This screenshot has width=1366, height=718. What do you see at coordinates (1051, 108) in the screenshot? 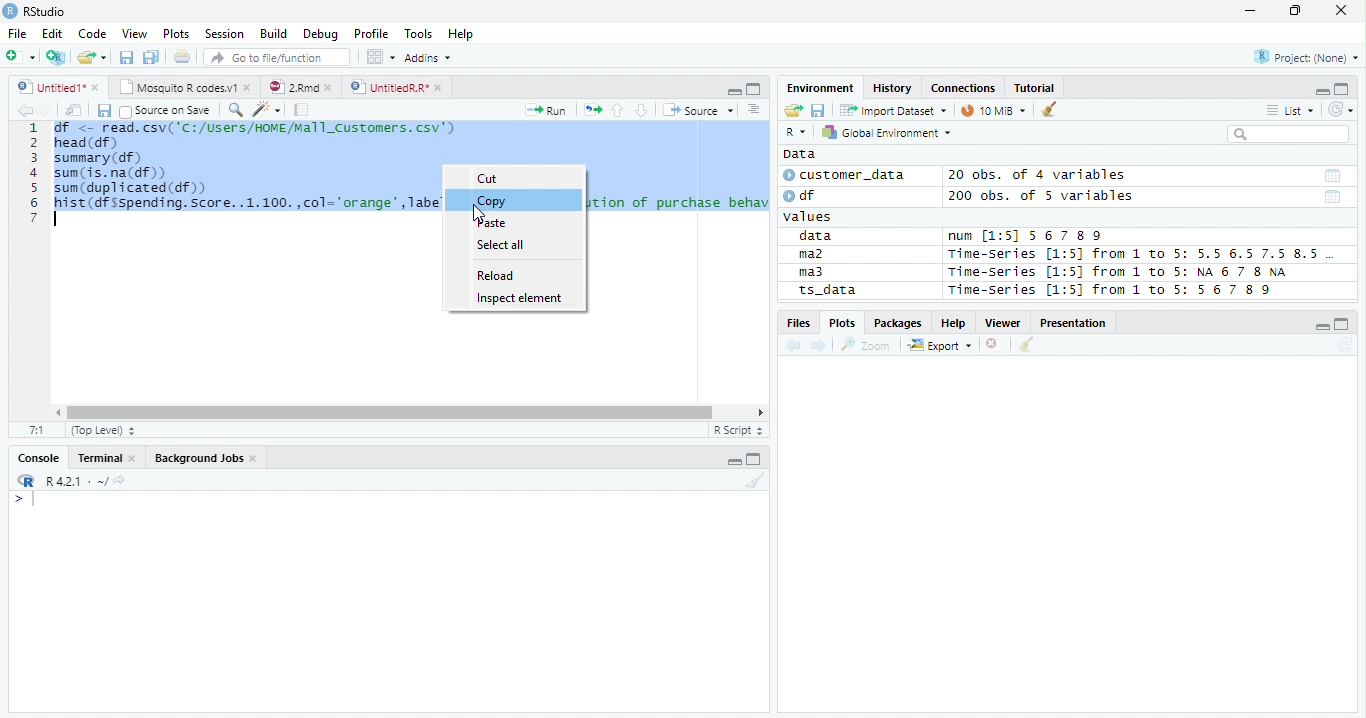
I see `Clean` at bounding box center [1051, 108].